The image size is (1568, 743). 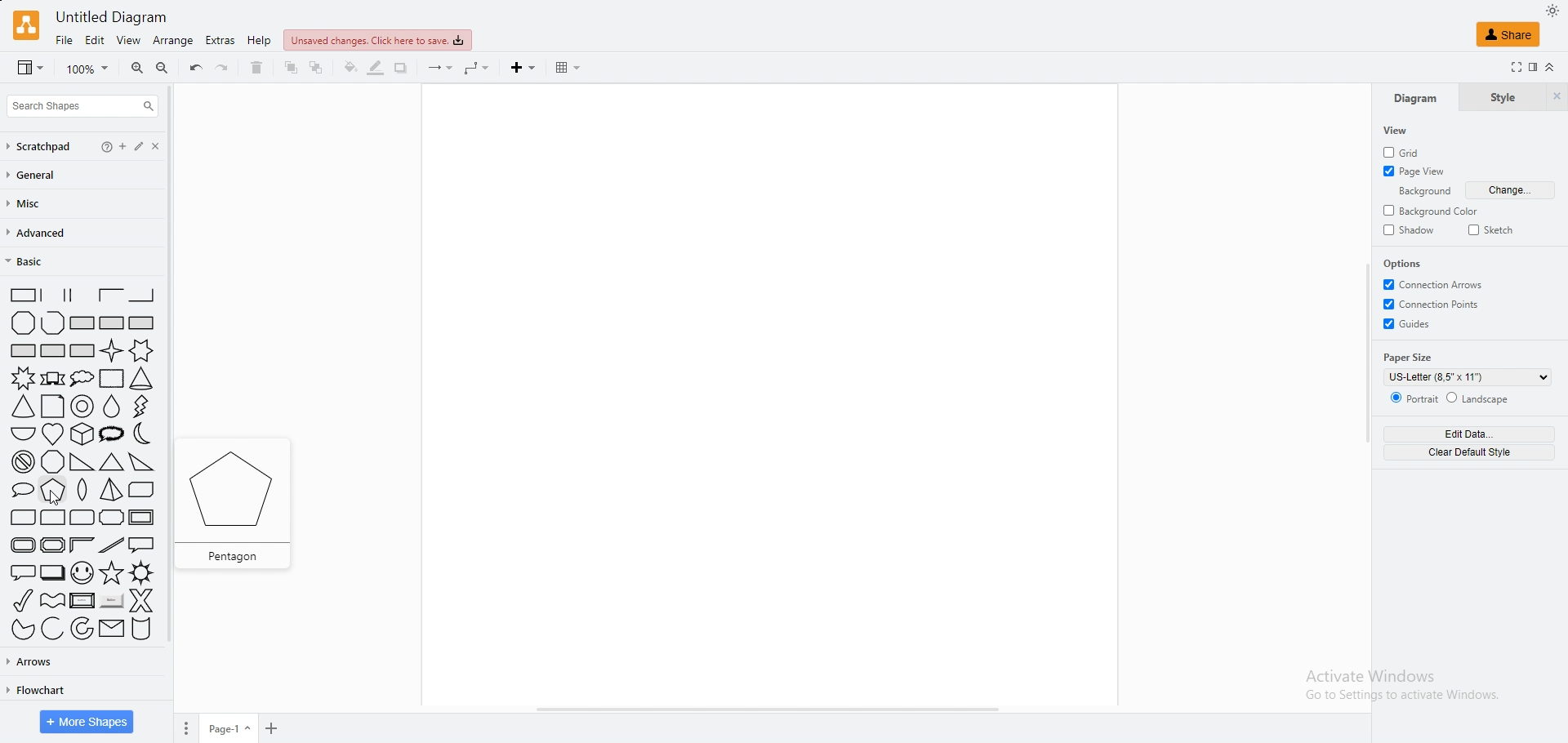 What do you see at coordinates (82, 351) in the screenshot?
I see `rectangle with diagonal grid fill` at bounding box center [82, 351].